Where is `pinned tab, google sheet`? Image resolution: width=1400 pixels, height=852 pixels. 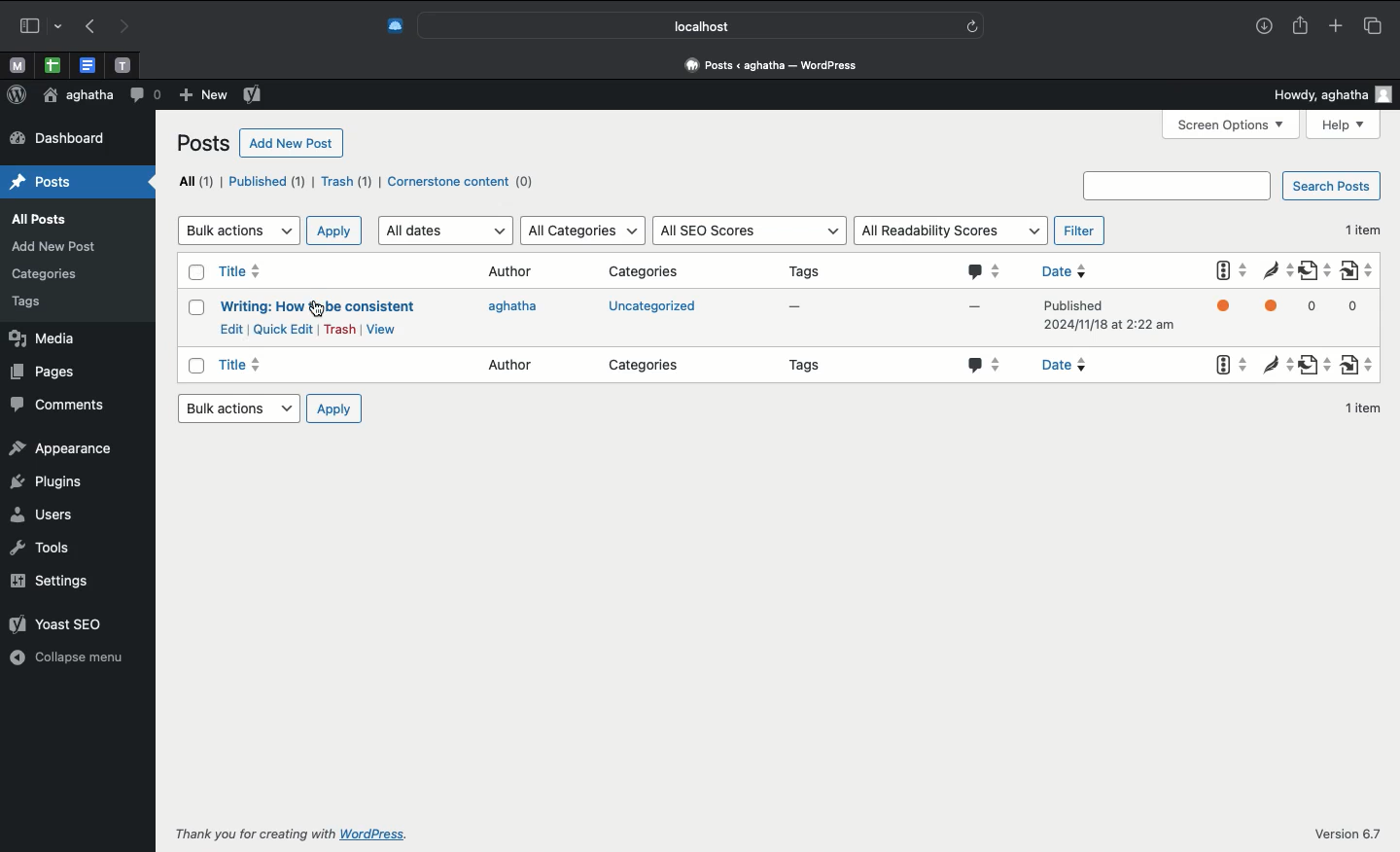
pinned tab, google sheet is located at coordinates (52, 62).